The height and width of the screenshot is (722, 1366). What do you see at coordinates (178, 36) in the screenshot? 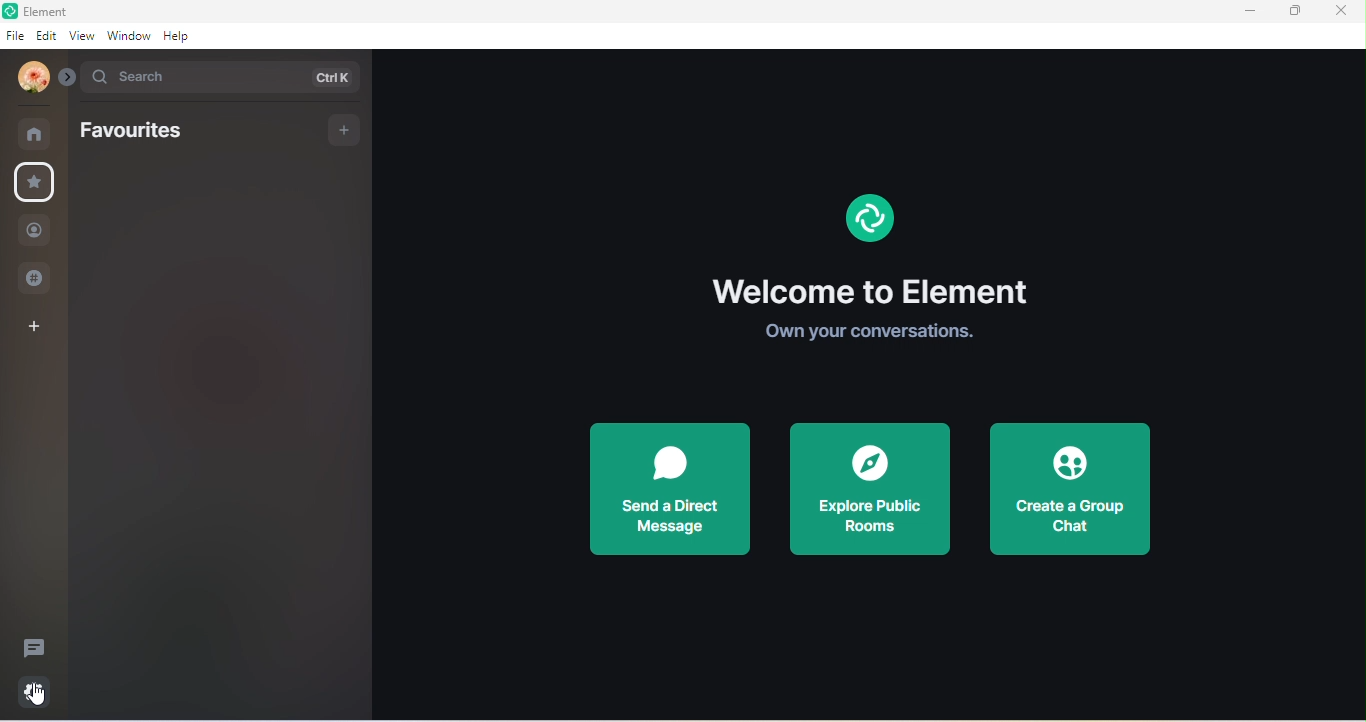
I see `help` at bounding box center [178, 36].